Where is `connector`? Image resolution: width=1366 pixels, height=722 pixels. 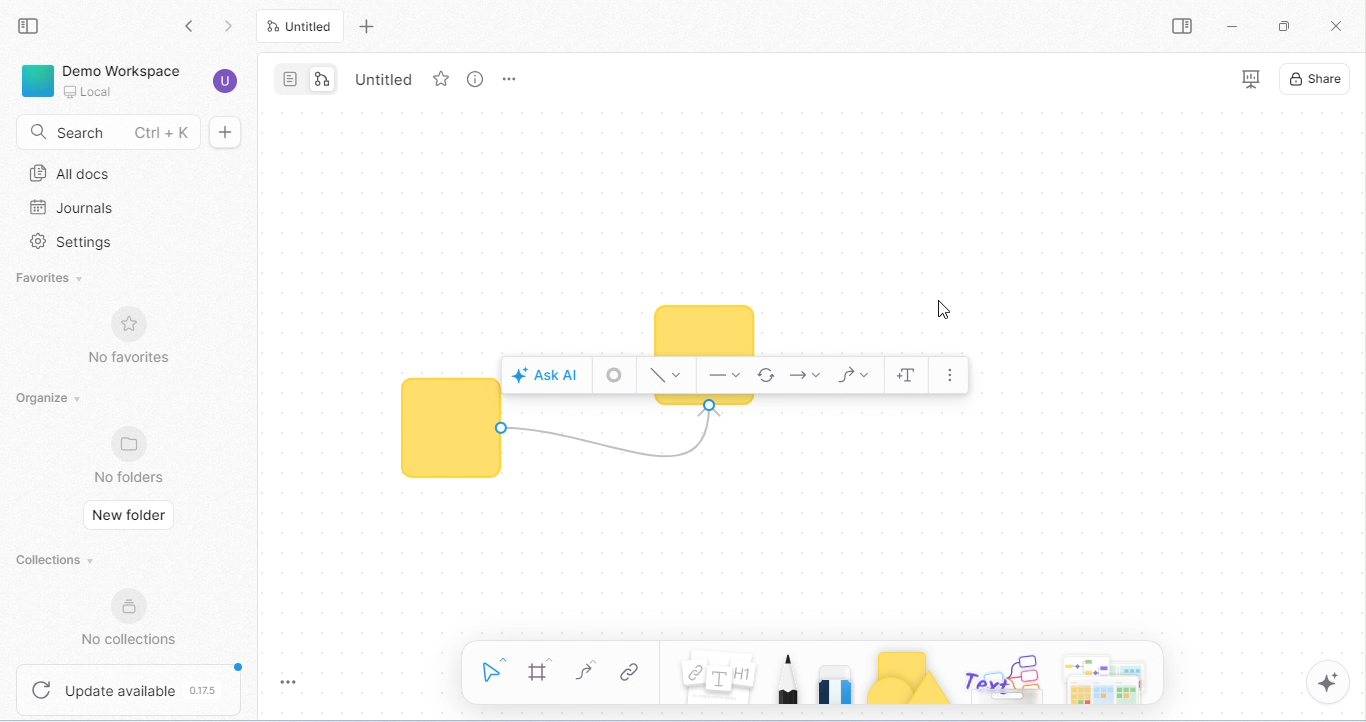
connector is located at coordinates (615, 438).